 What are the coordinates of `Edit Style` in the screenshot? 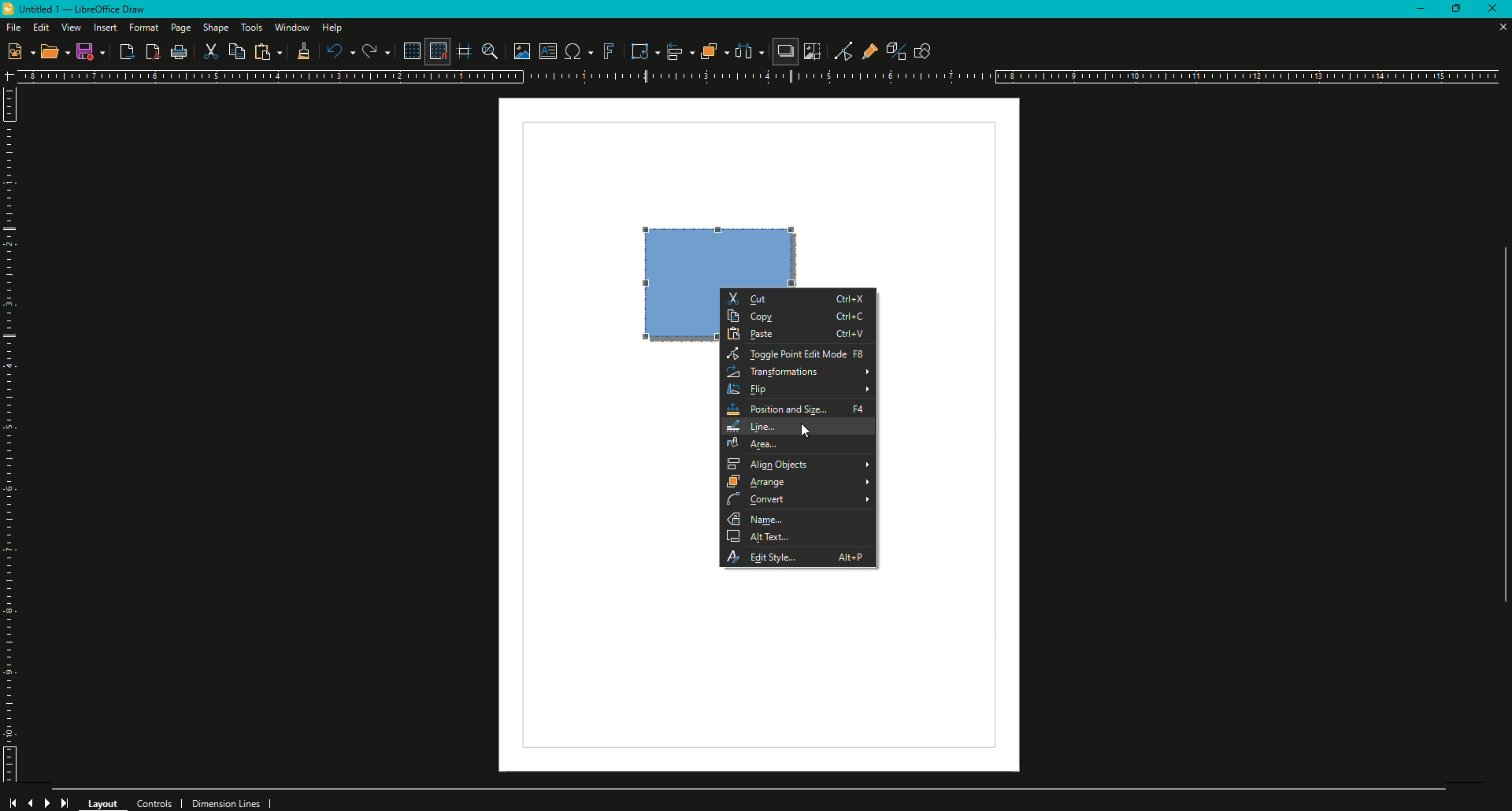 It's located at (799, 555).